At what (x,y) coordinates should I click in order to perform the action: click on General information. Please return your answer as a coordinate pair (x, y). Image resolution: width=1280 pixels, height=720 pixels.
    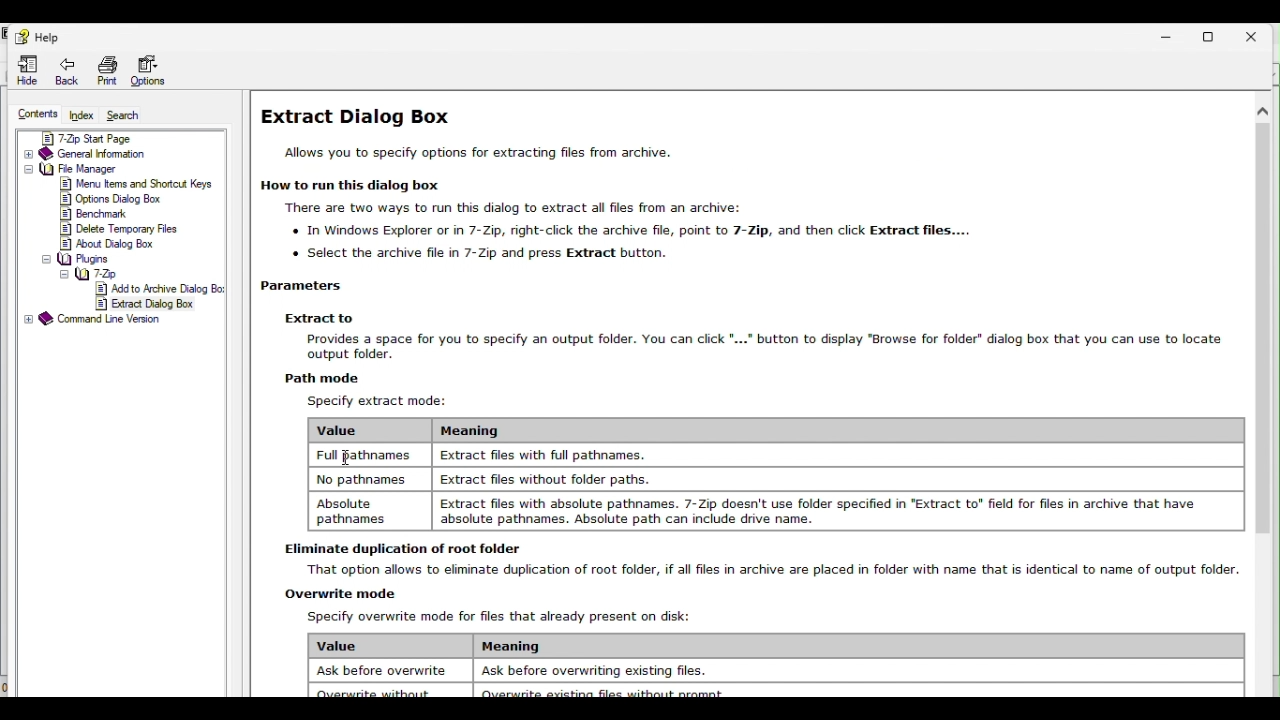
    Looking at the image, I should click on (121, 153).